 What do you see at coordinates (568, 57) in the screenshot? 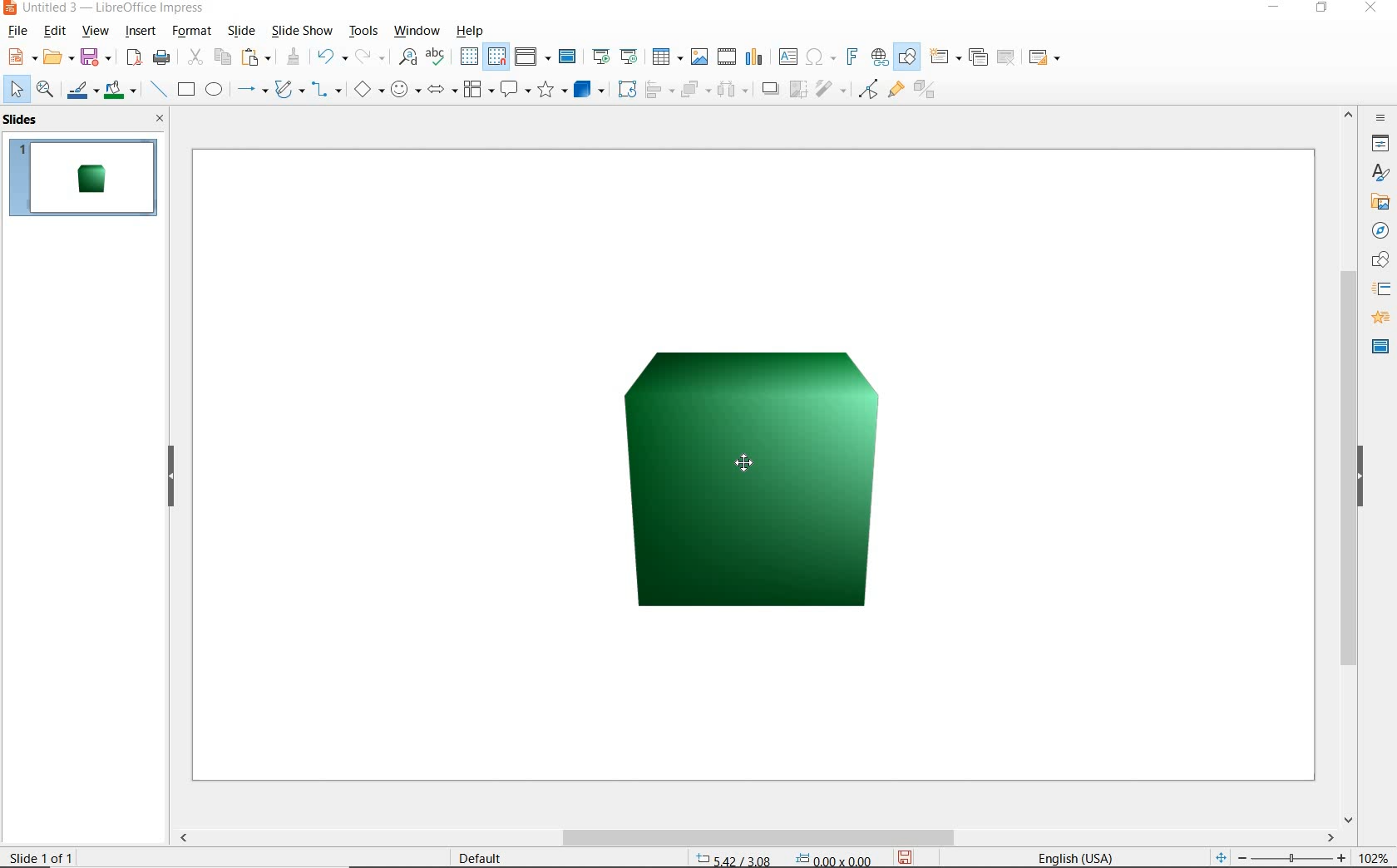
I see `master slide` at bounding box center [568, 57].